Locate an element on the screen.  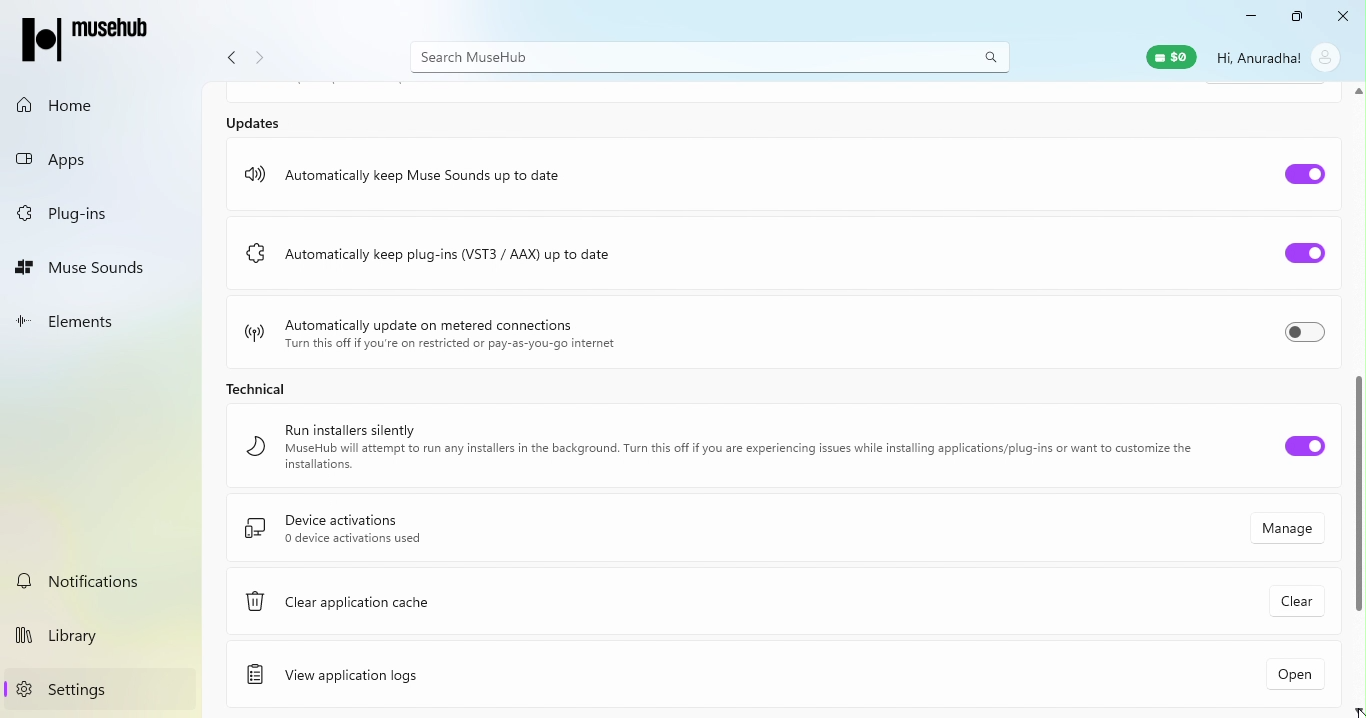
account is located at coordinates (1327, 57).